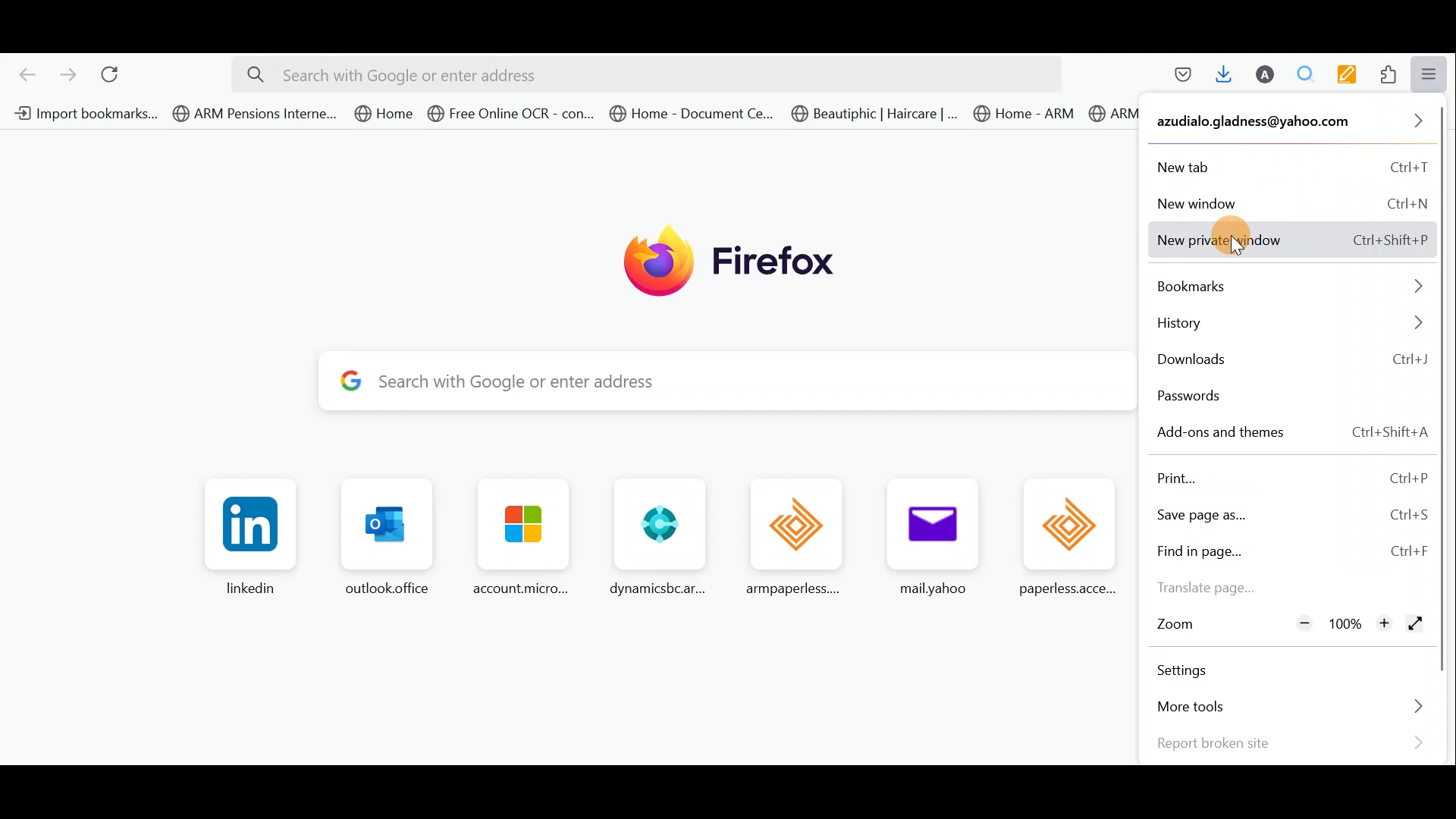  I want to click on Downloads, so click(1225, 77).